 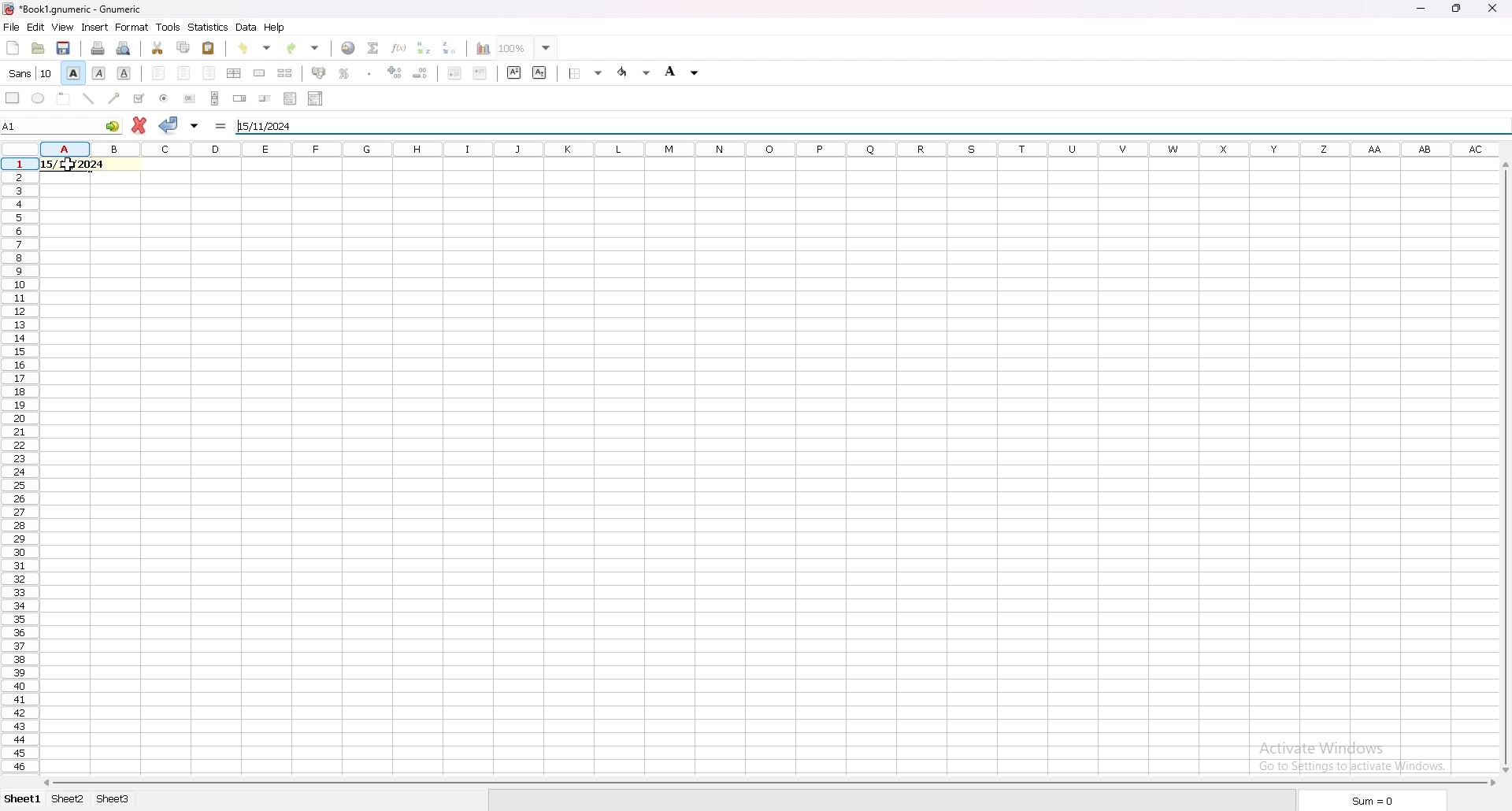 What do you see at coordinates (261, 72) in the screenshot?
I see `merge cell` at bounding box center [261, 72].